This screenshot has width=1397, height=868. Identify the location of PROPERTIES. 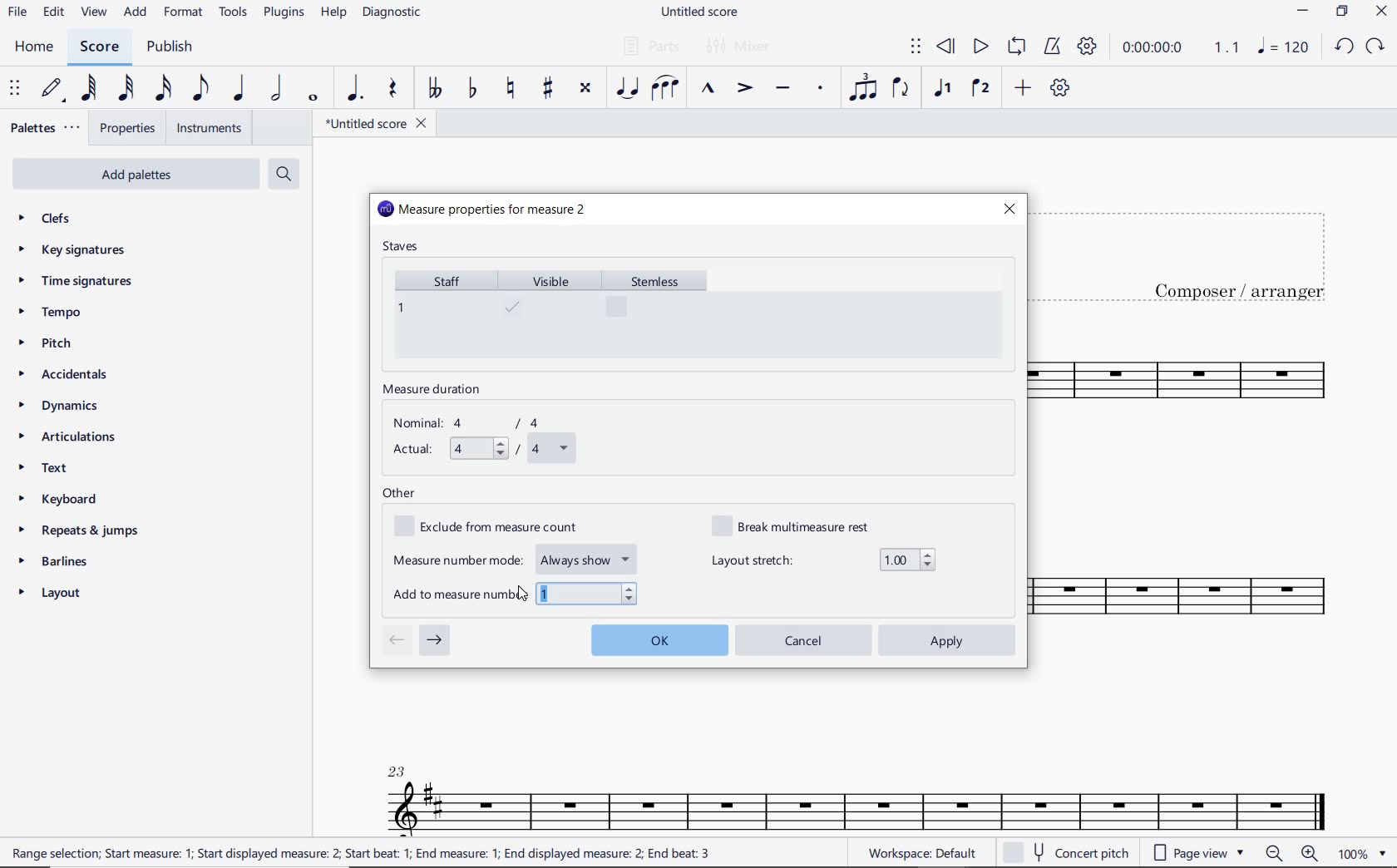
(126, 131).